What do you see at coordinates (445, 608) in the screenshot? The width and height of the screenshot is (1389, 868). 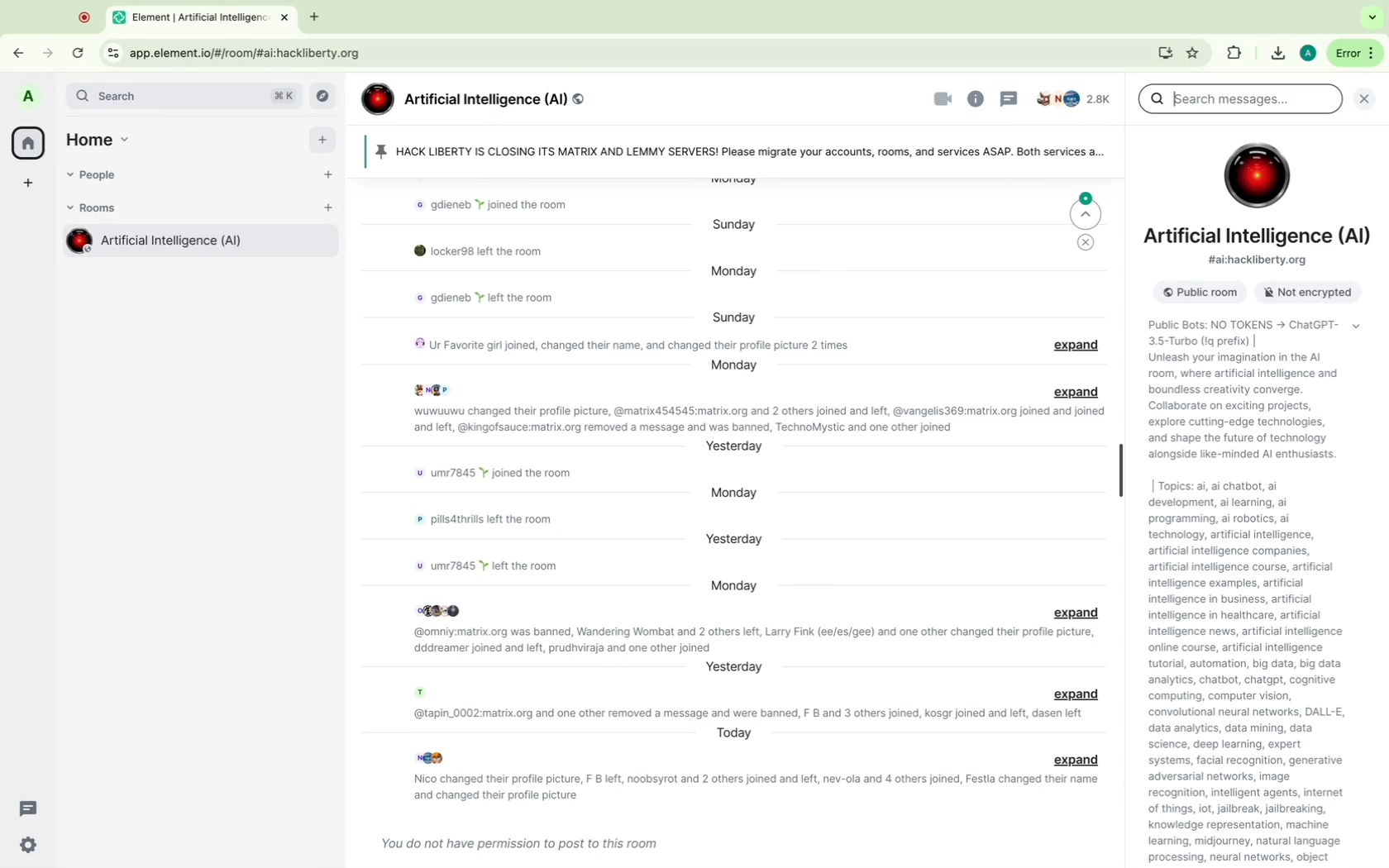 I see `pictures` at bounding box center [445, 608].